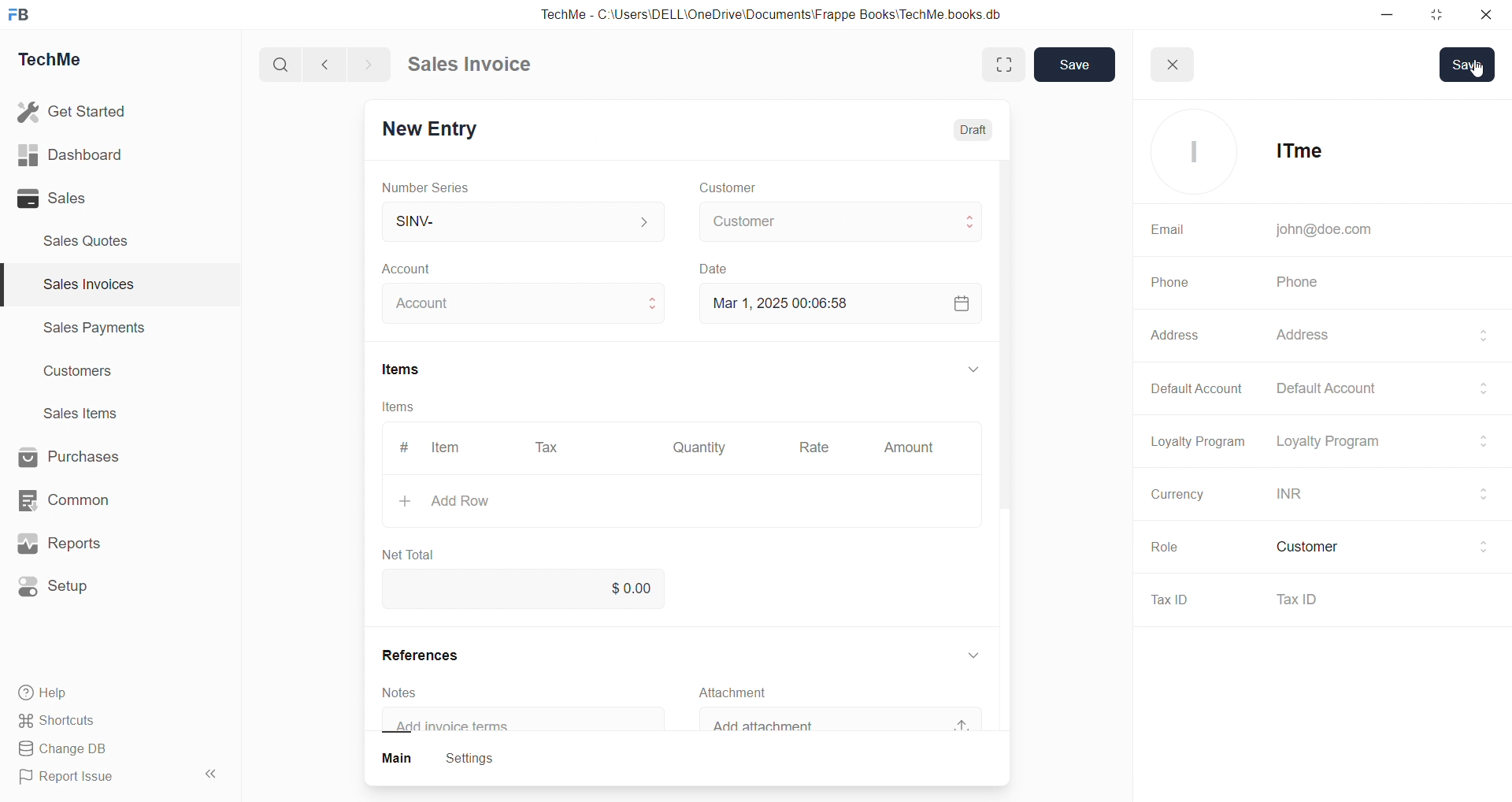 The image size is (1512, 802). I want to click on Account, so click(416, 266).